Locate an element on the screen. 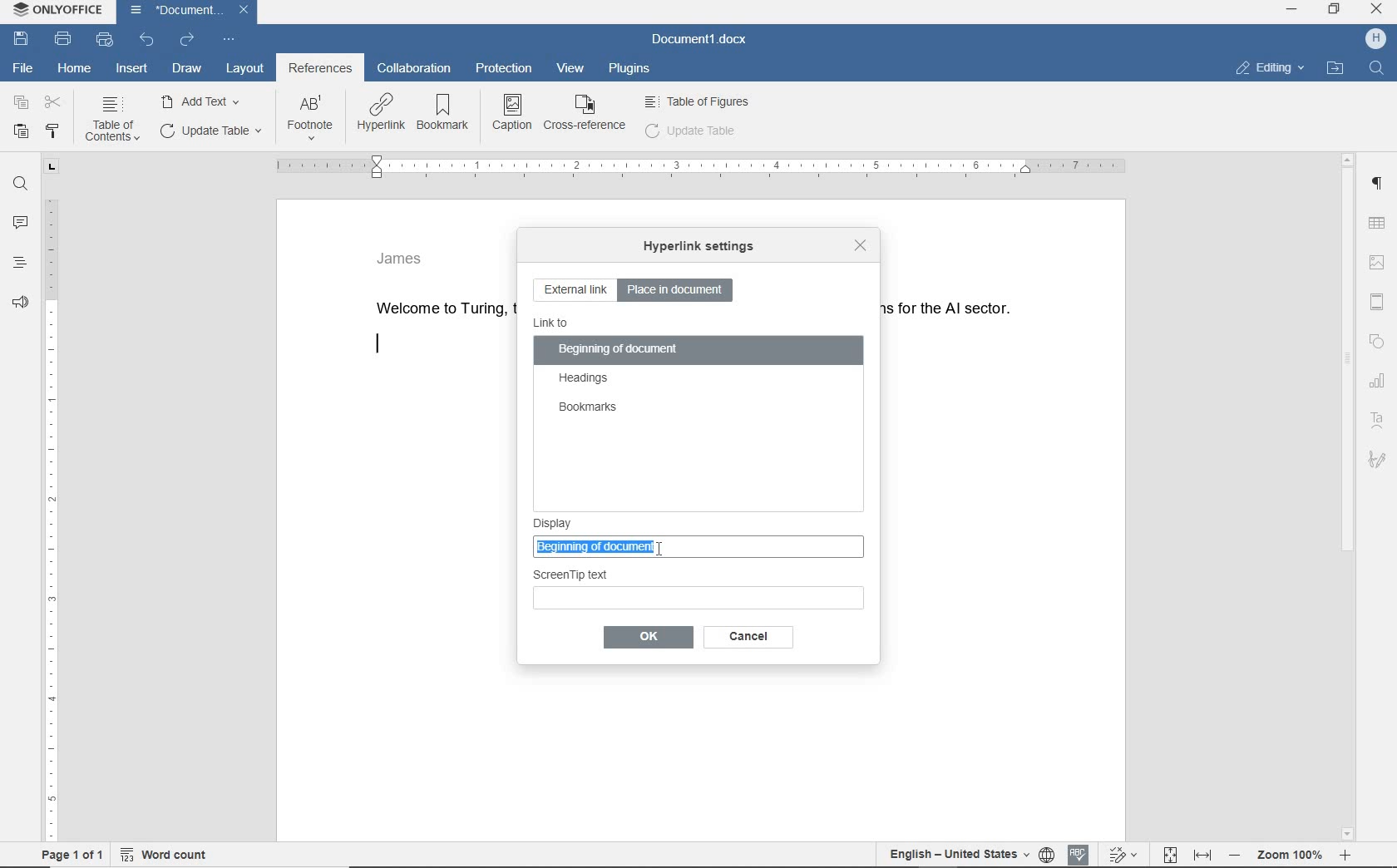 Image resolution: width=1397 pixels, height=868 pixels. ok is located at coordinates (647, 638).